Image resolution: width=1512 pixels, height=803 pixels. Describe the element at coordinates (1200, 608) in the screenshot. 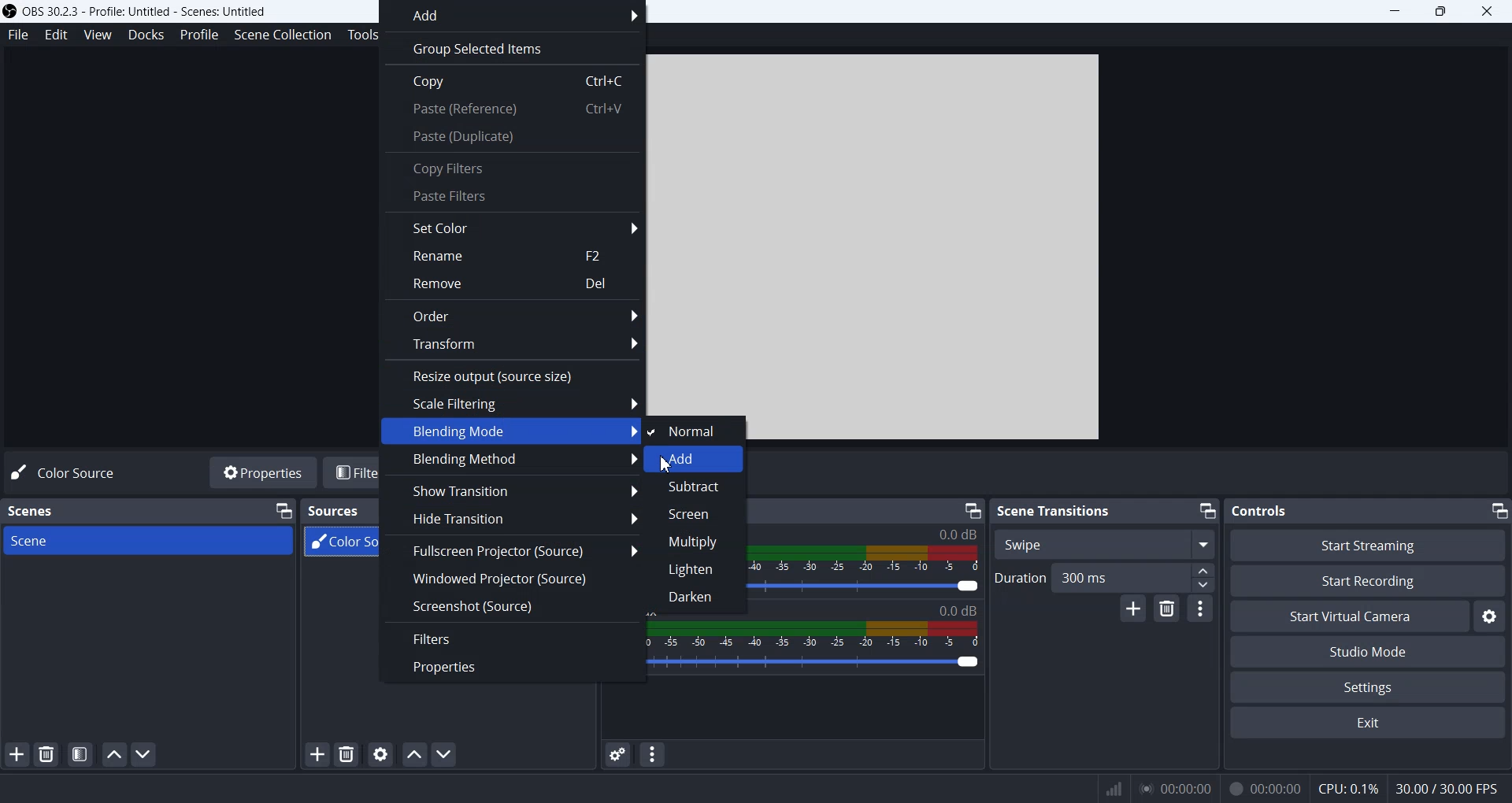

I see `Transition properties` at that location.